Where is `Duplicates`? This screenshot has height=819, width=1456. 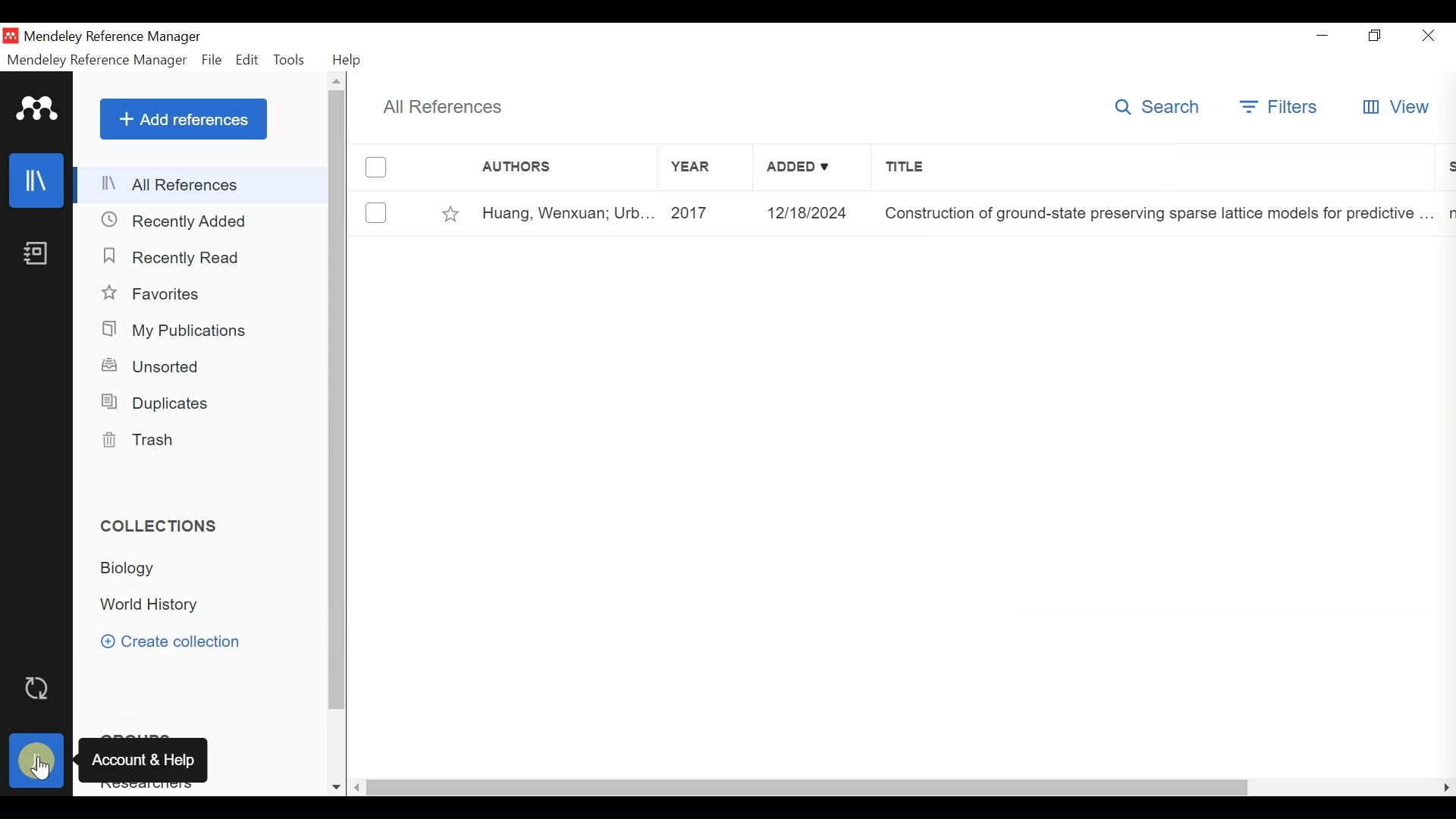 Duplicates is located at coordinates (157, 403).